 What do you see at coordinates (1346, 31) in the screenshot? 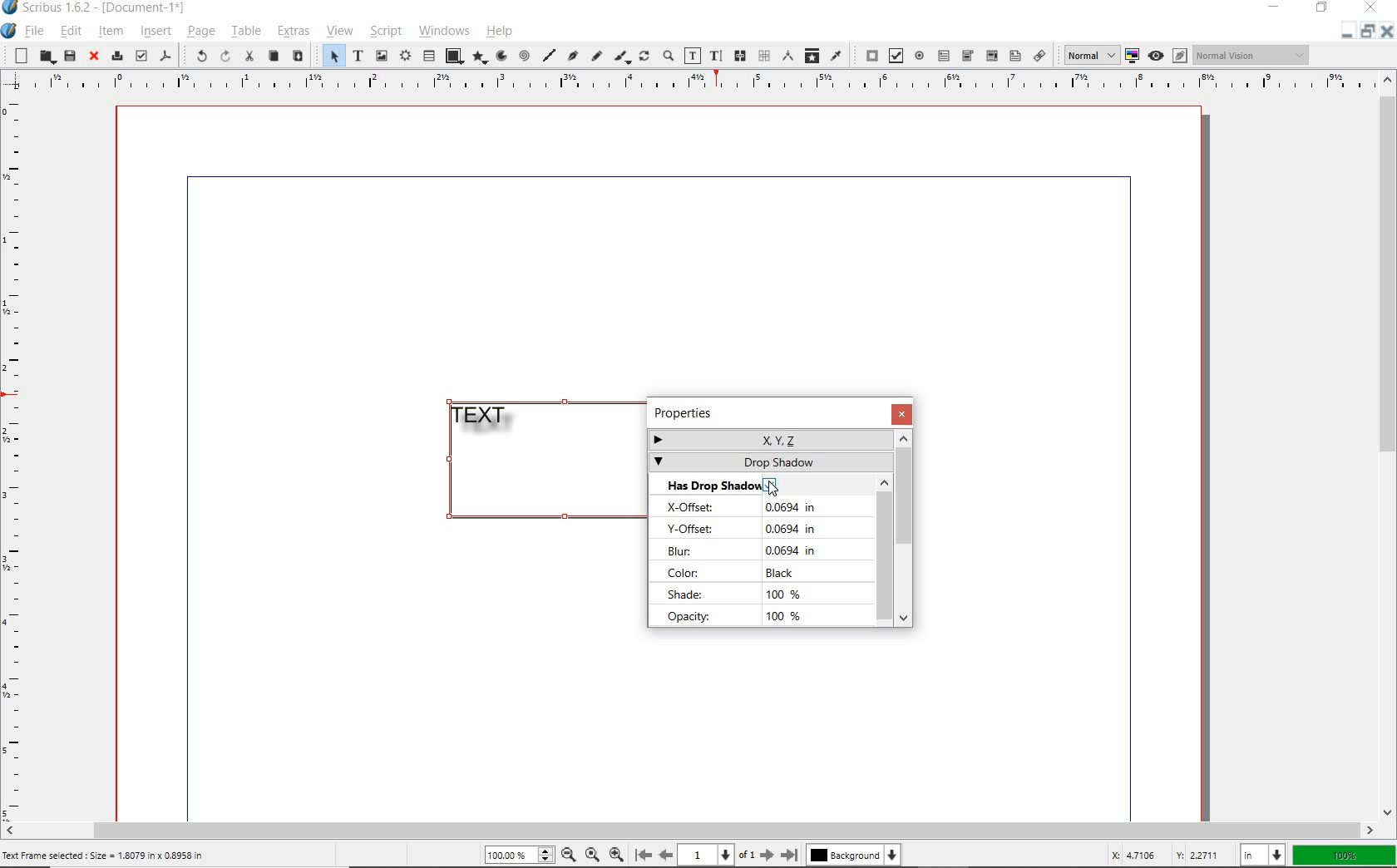
I see `Restore Down` at bounding box center [1346, 31].